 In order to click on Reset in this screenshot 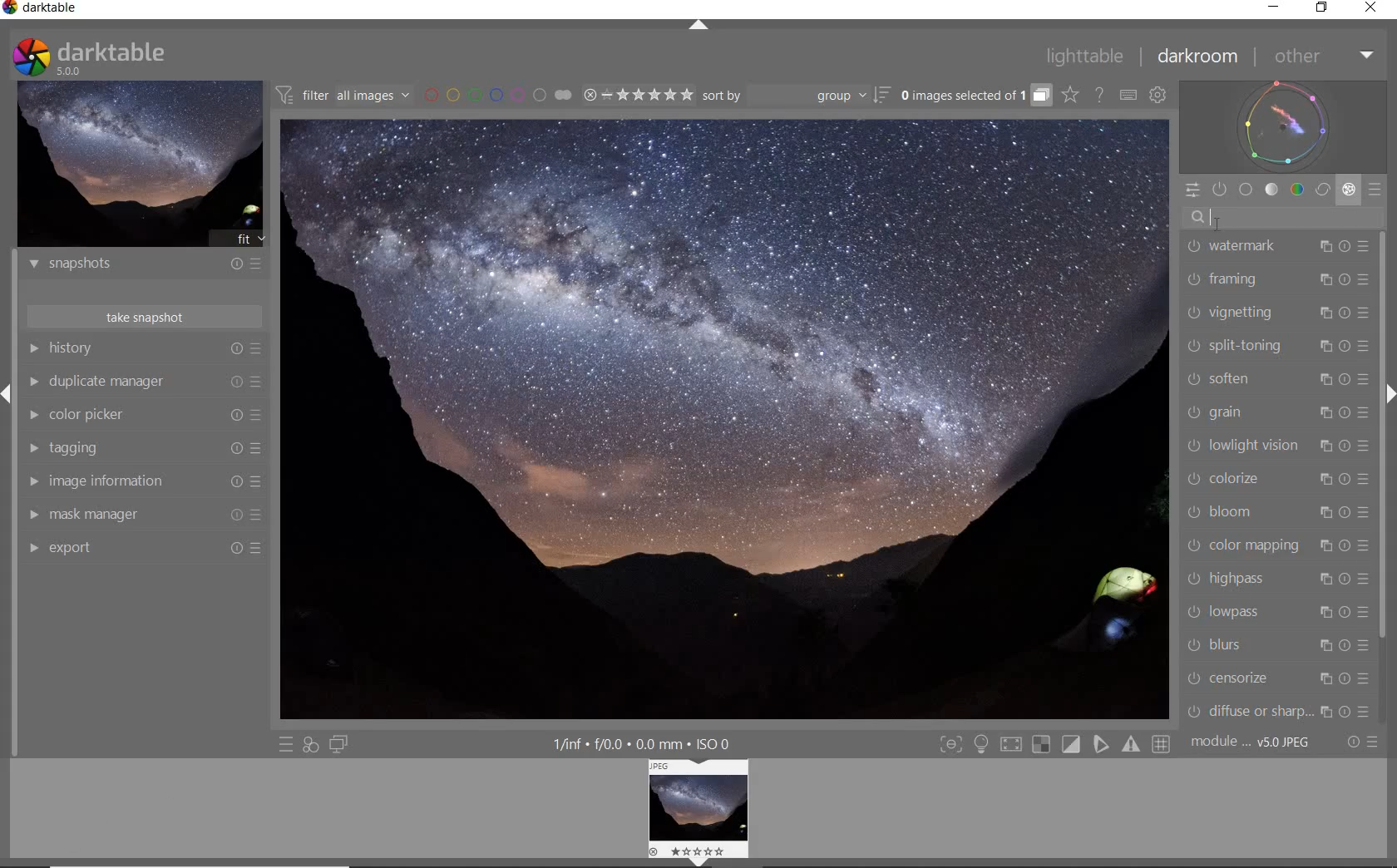, I will do `click(235, 481)`.